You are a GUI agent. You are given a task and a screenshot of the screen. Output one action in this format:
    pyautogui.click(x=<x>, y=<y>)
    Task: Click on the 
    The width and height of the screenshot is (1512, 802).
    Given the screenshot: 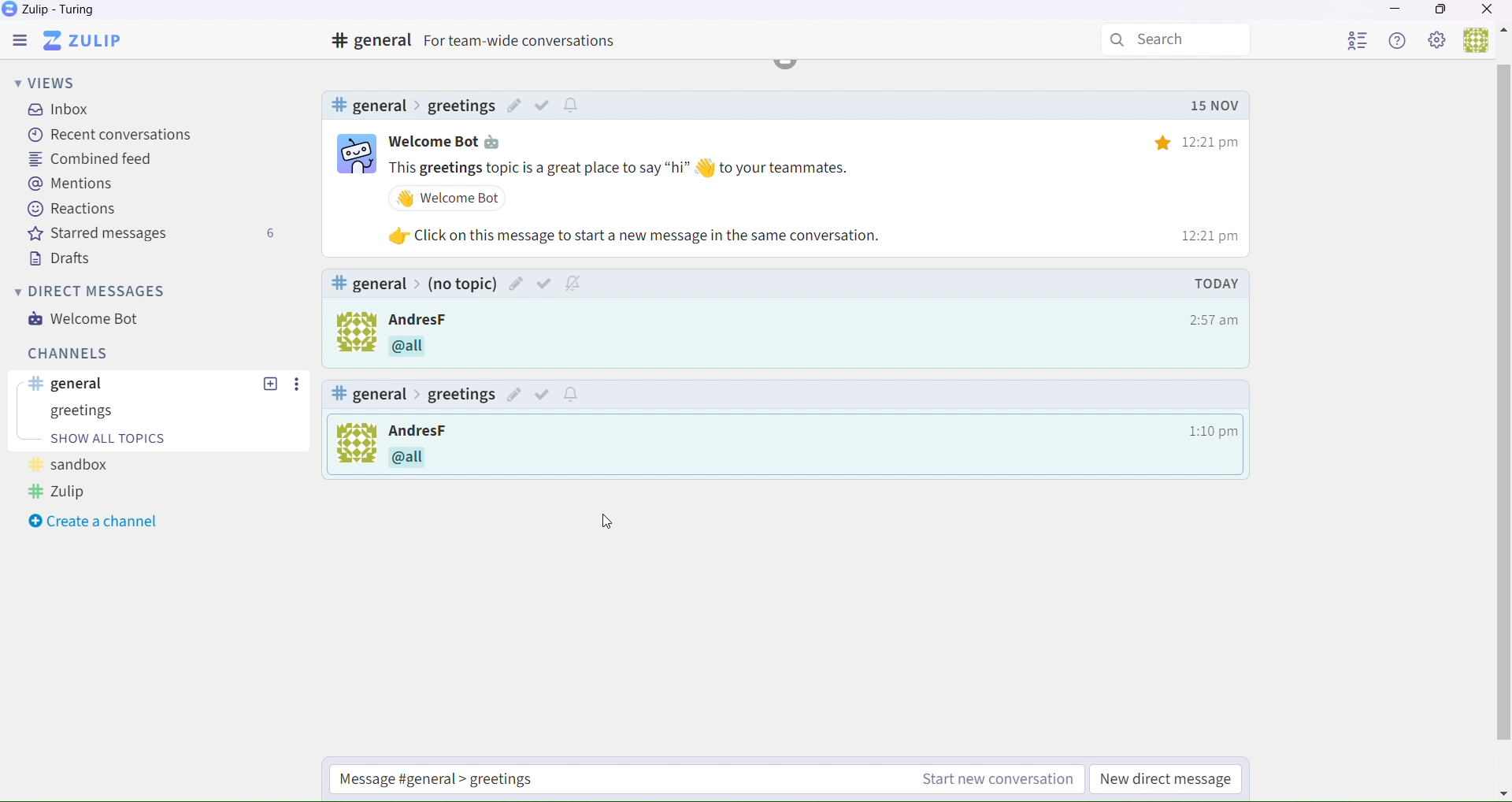 What is the action you would take?
    pyautogui.click(x=1215, y=284)
    